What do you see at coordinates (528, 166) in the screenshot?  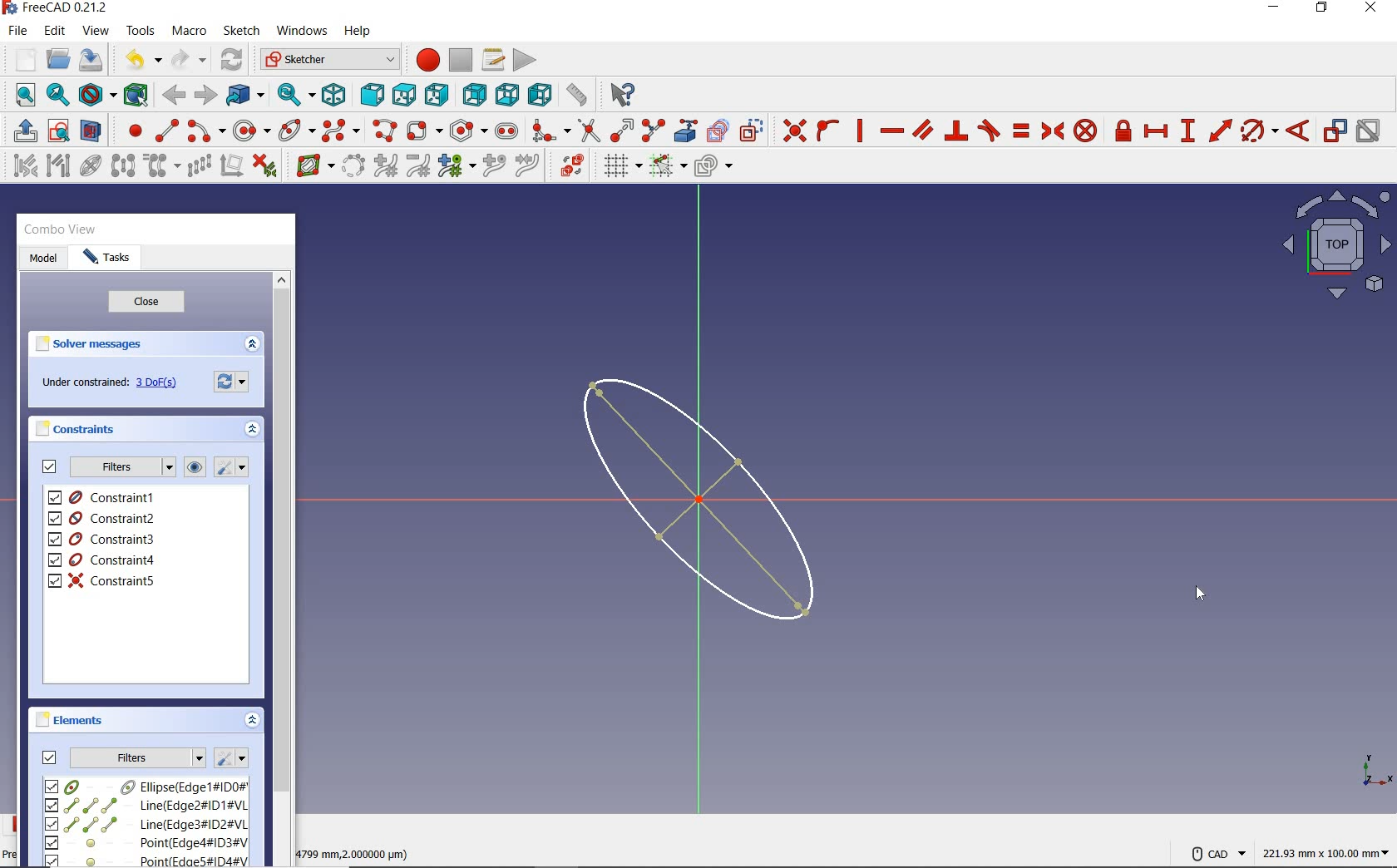 I see `join curves` at bounding box center [528, 166].